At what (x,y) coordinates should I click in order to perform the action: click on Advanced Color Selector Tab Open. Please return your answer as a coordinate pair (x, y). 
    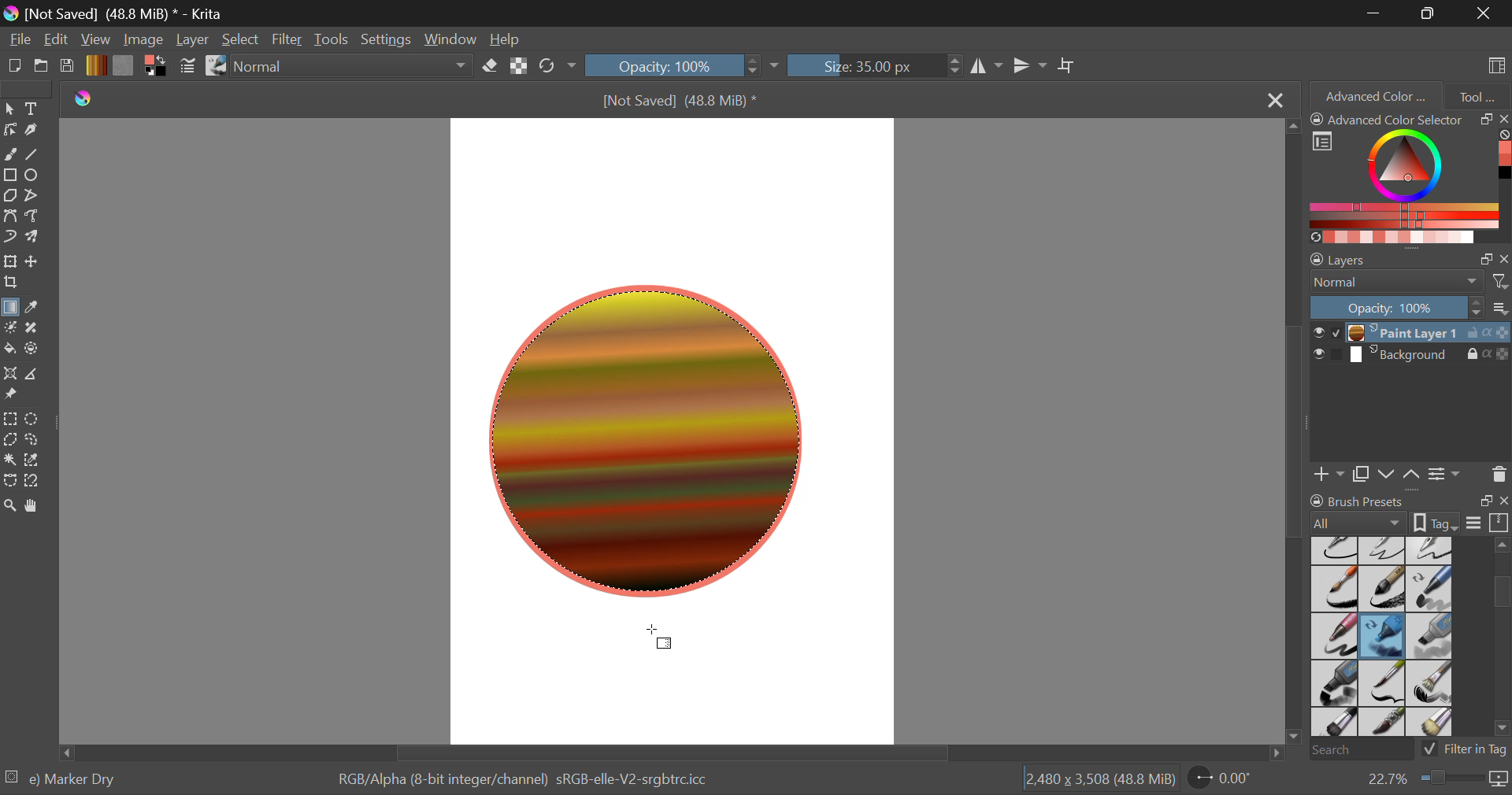
    Looking at the image, I should click on (1374, 95).